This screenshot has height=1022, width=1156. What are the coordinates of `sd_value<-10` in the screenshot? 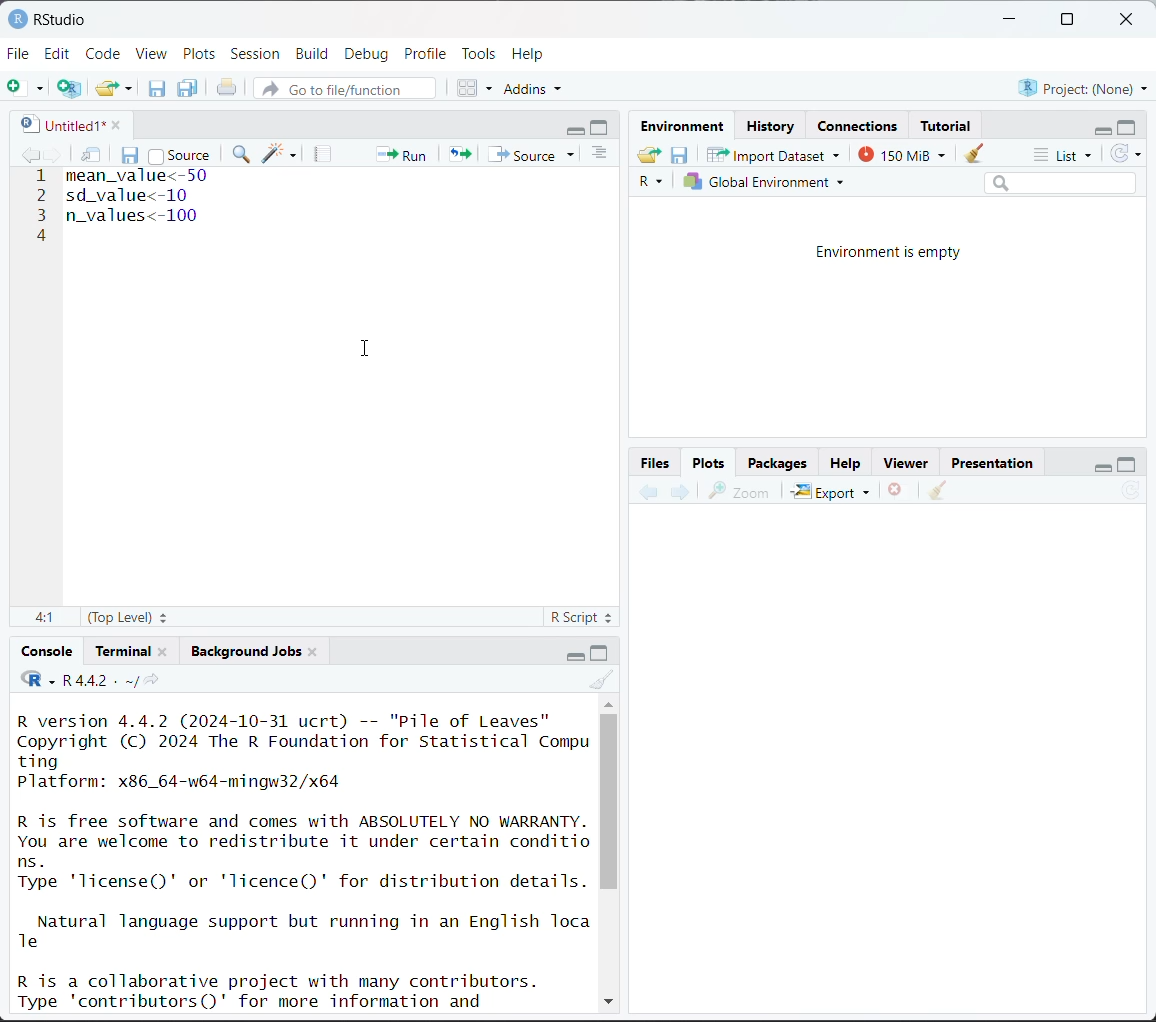 It's located at (134, 197).